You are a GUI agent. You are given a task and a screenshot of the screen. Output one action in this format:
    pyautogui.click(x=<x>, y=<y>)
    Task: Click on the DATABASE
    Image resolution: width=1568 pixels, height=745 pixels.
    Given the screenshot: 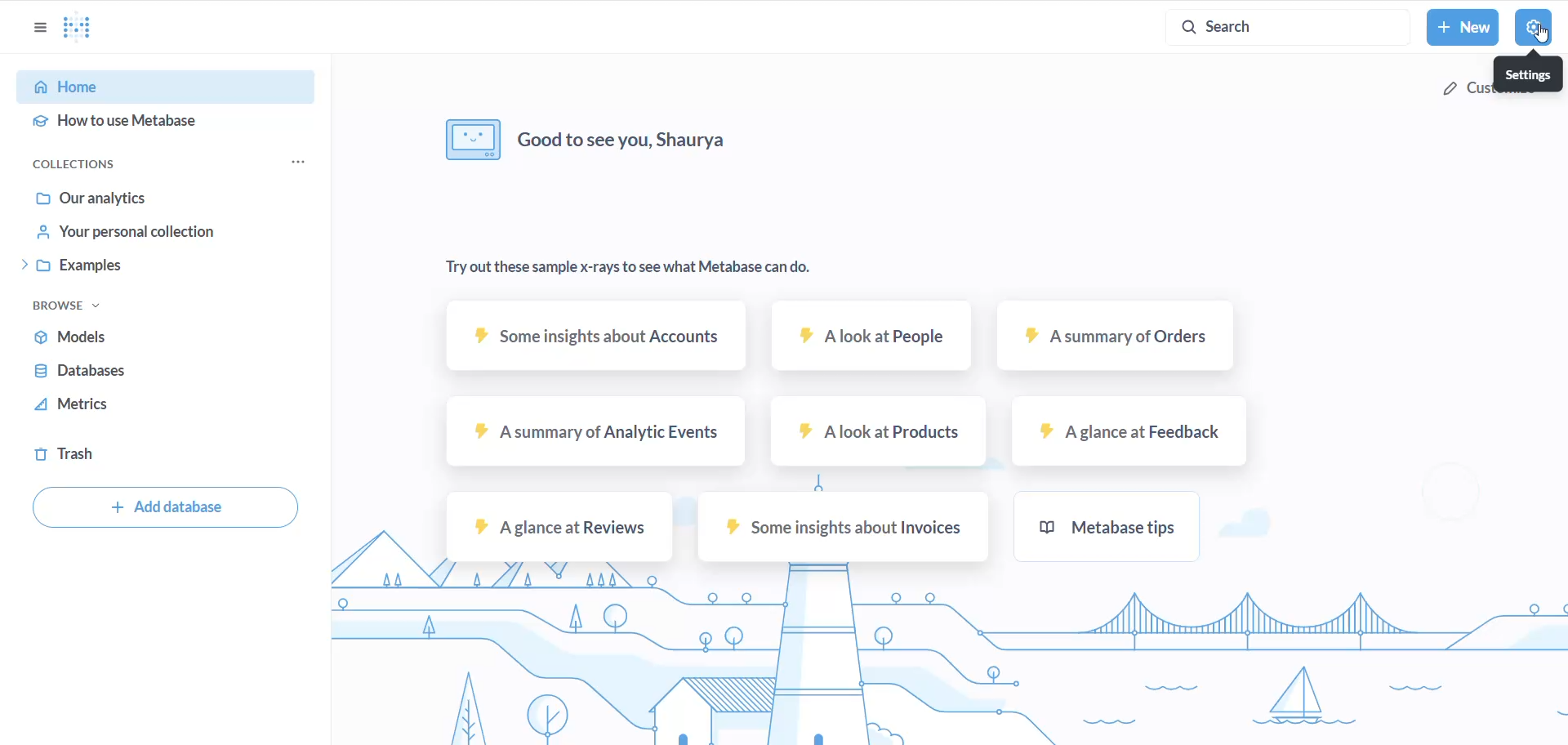 What is the action you would take?
    pyautogui.click(x=173, y=372)
    